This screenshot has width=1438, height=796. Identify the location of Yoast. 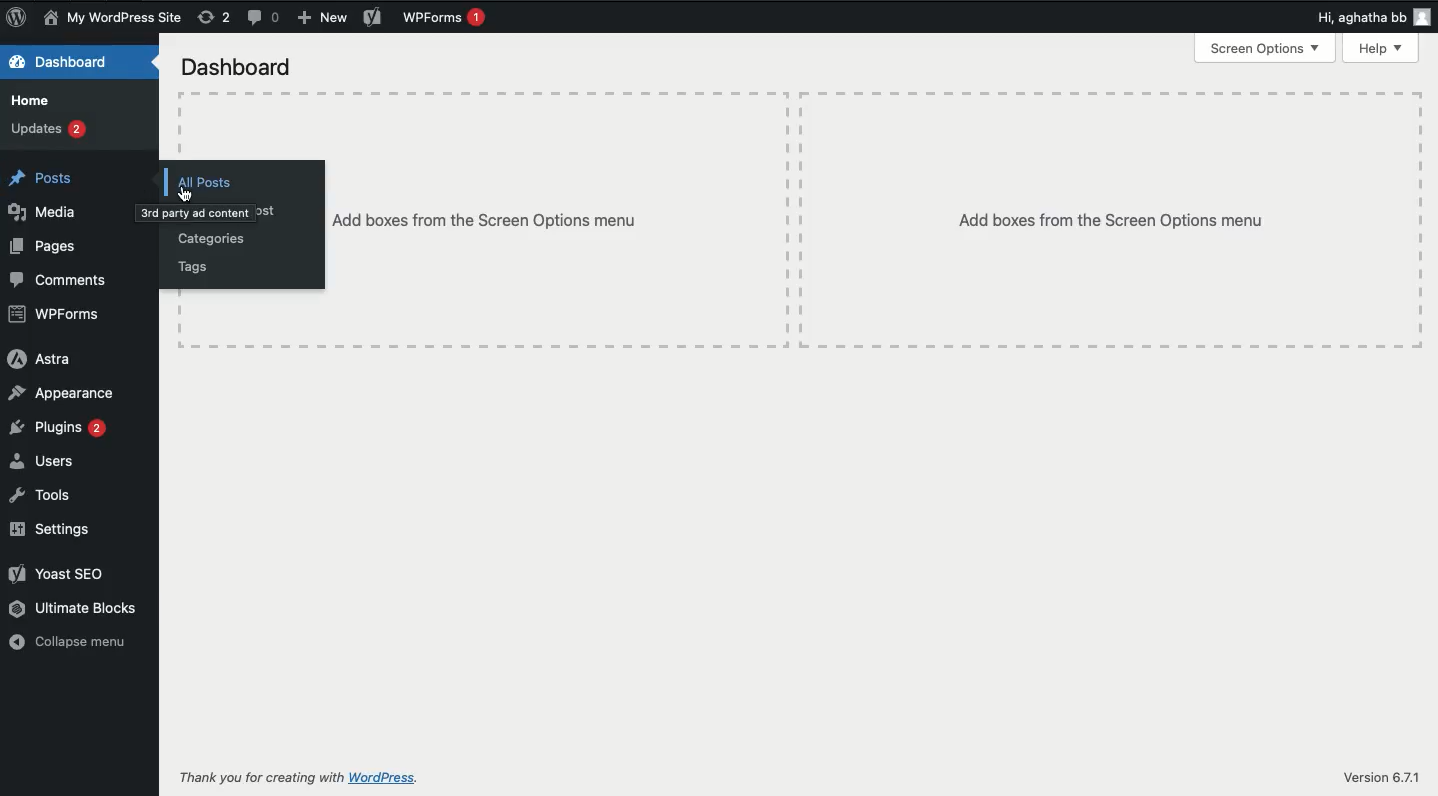
(372, 16).